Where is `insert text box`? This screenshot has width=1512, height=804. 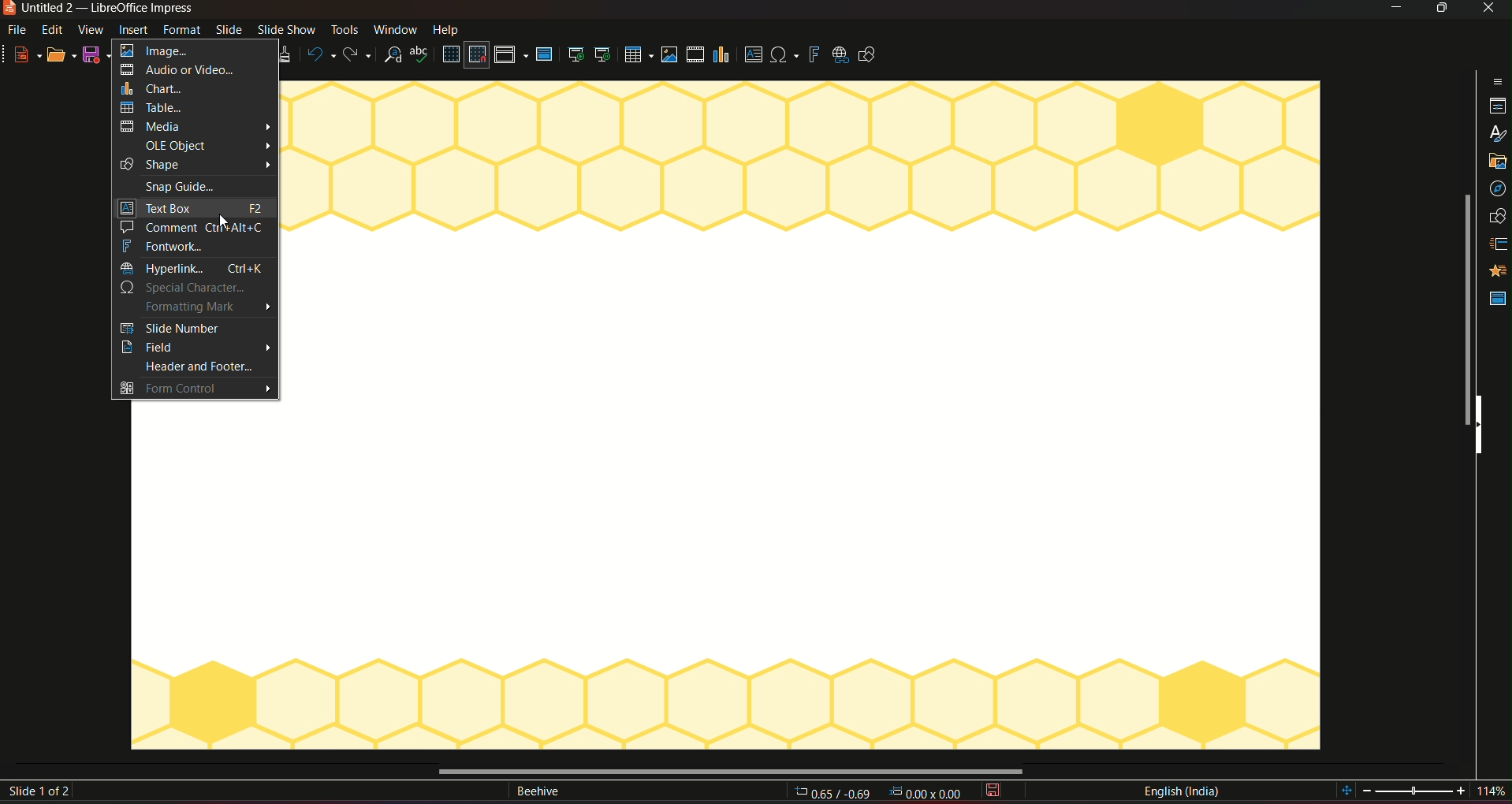
insert text box is located at coordinates (752, 55).